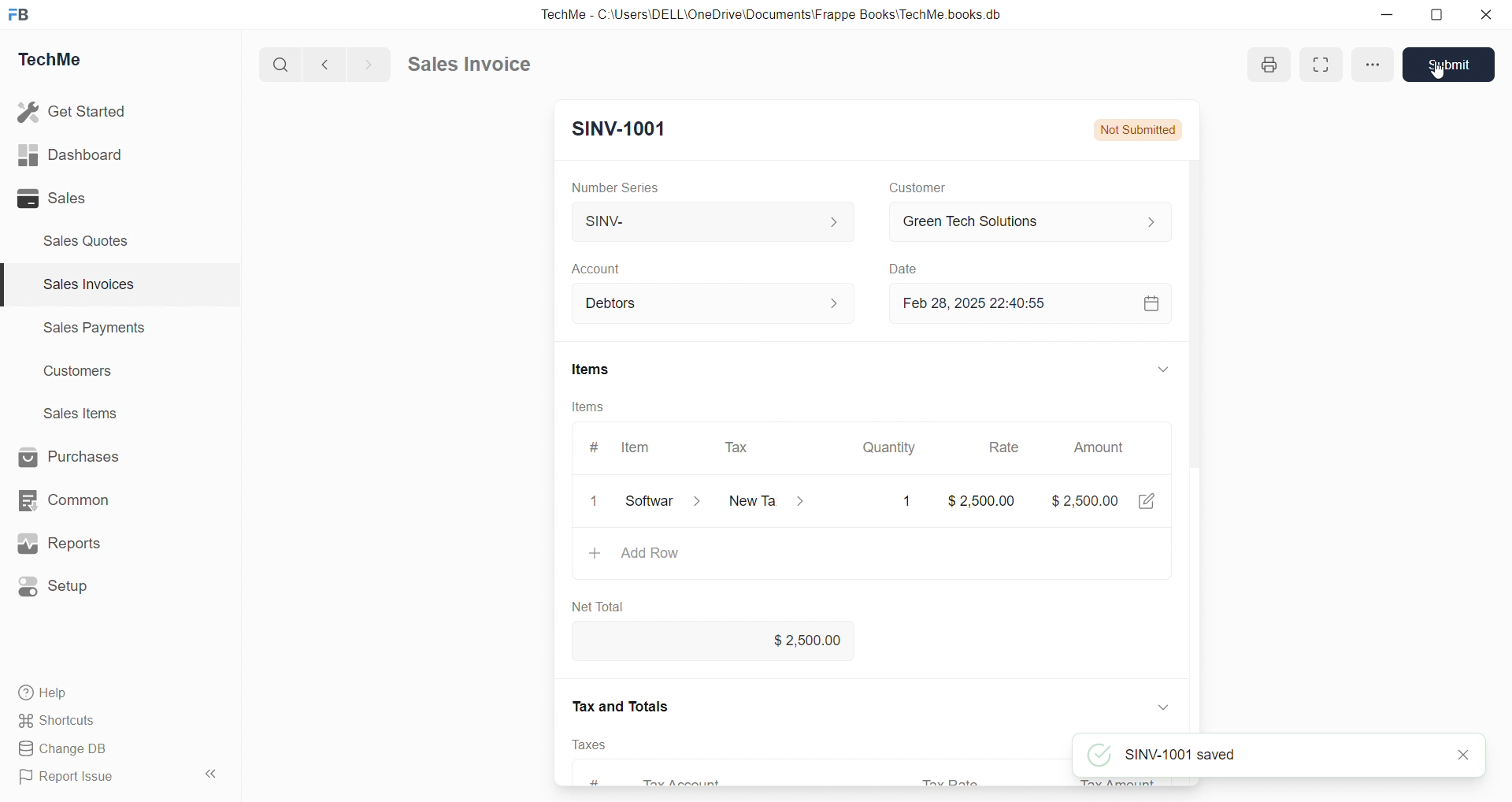  What do you see at coordinates (69, 456) in the screenshot?
I see `Purchases` at bounding box center [69, 456].